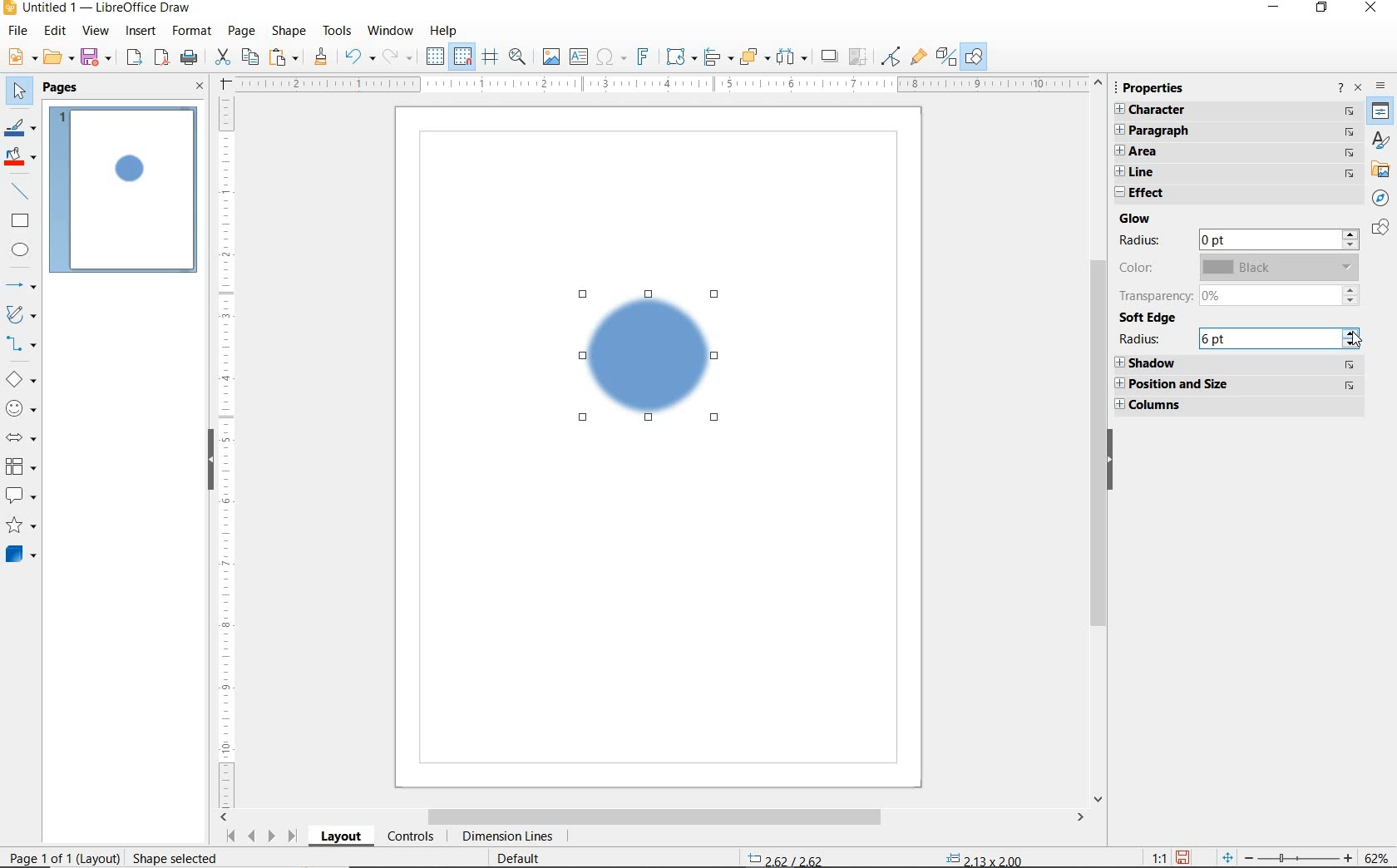  I want to click on TOGGLE POINT EDIT MODE, so click(891, 55).